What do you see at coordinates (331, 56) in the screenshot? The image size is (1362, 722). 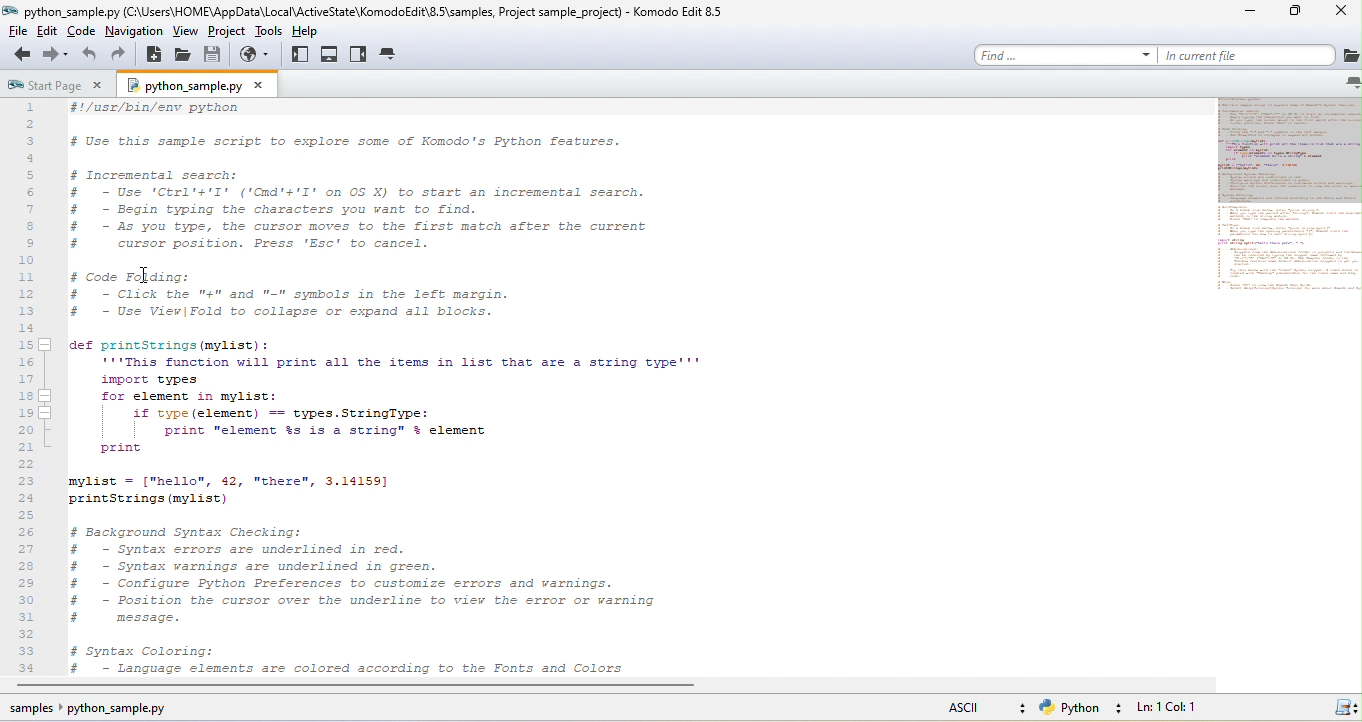 I see `bottom pane` at bounding box center [331, 56].